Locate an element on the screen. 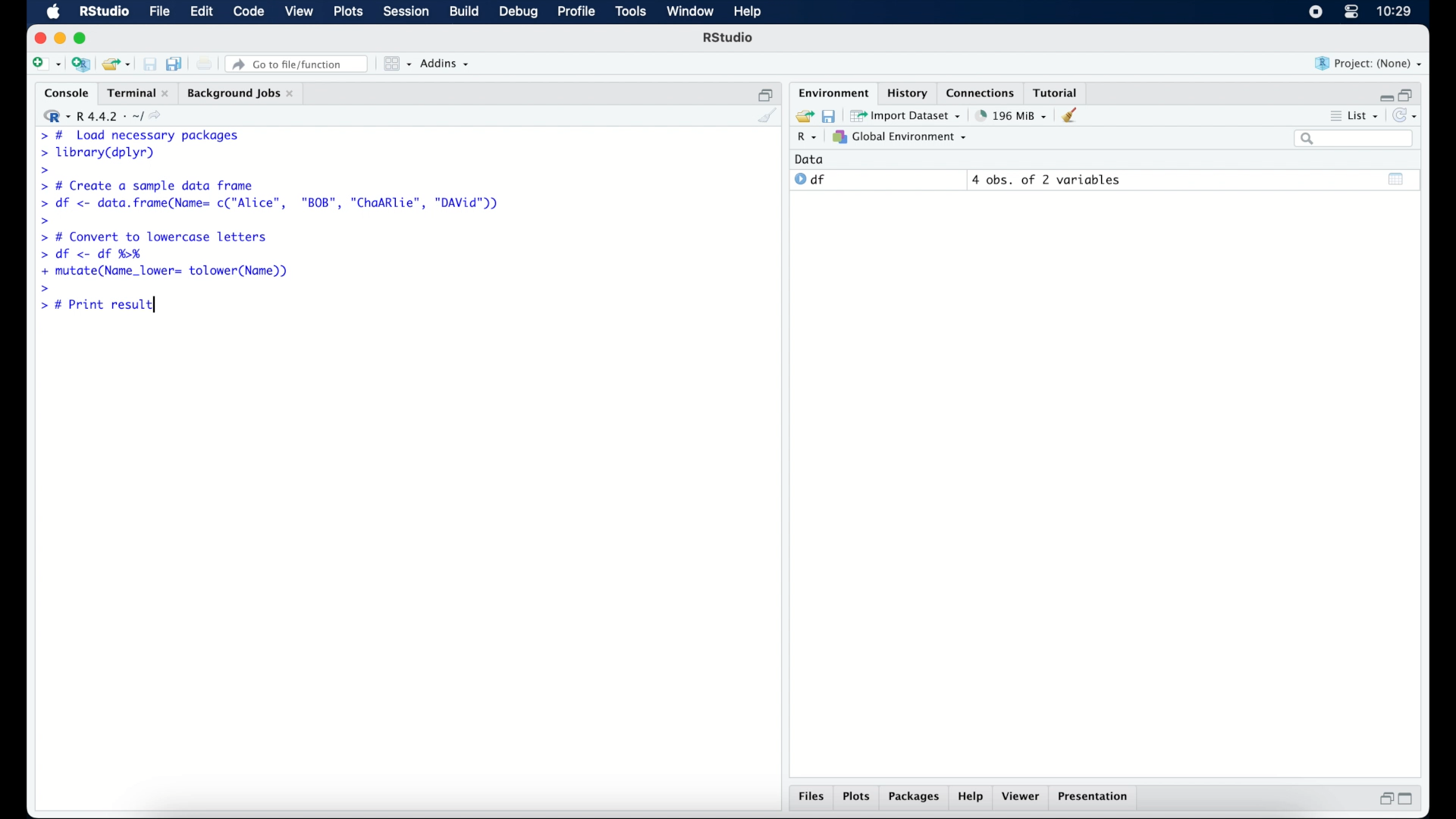 This screenshot has width=1456, height=819. load workspace is located at coordinates (802, 115).